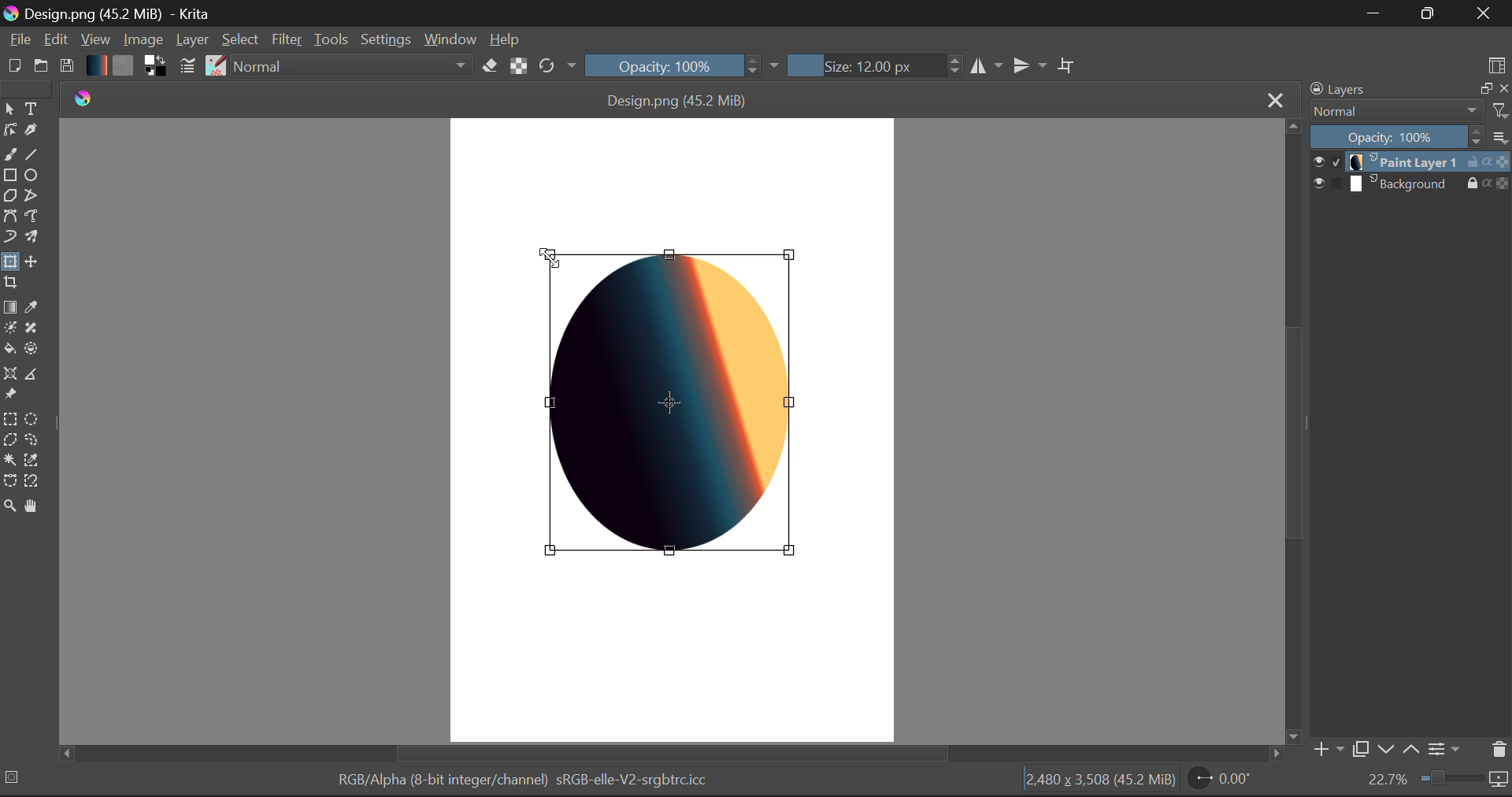 The height and width of the screenshot is (797, 1512). What do you see at coordinates (1067, 63) in the screenshot?
I see `Crop` at bounding box center [1067, 63].